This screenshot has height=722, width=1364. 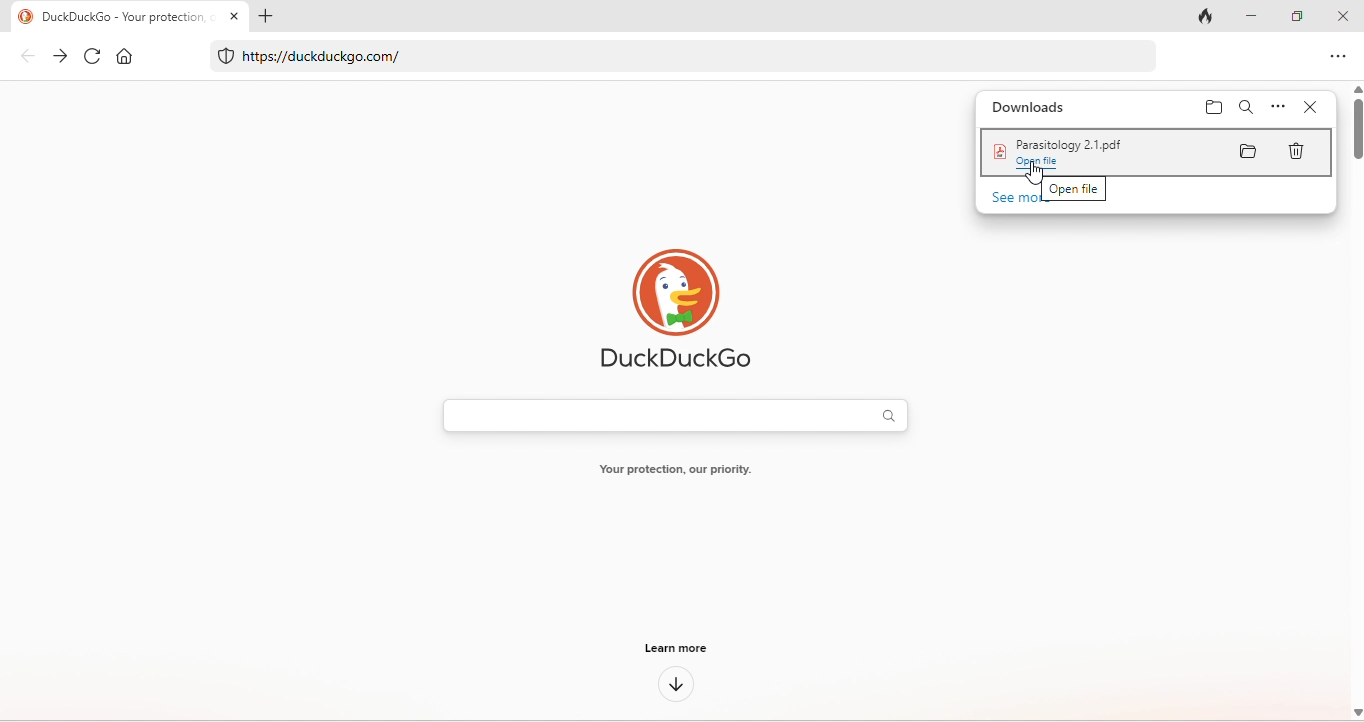 I want to click on delete, so click(x=1295, y=152).